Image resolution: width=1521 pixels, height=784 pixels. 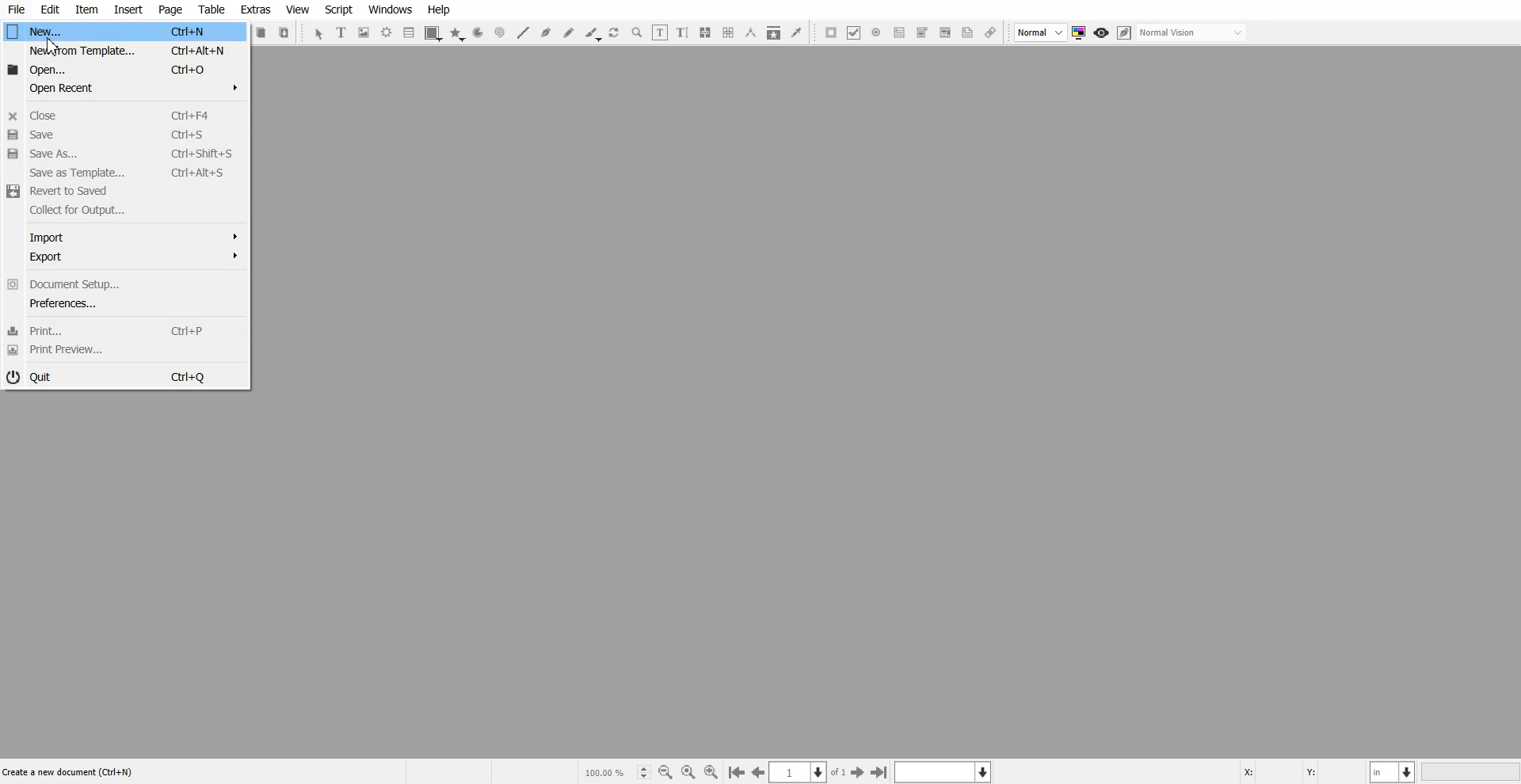 What do you see at coordinates (410, 32) in the screenshot?
I see `List` at bounding box center [410, 32].